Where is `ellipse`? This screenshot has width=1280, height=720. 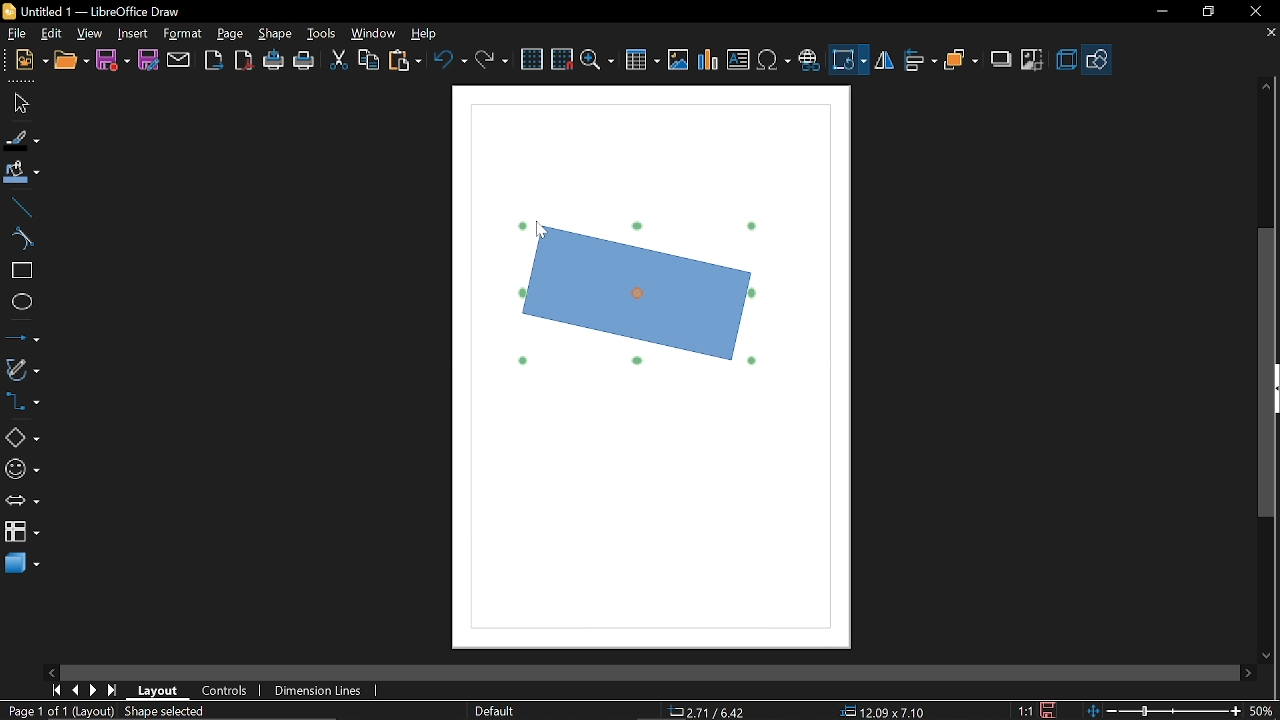
ellipse is located at coordinates (21, 304).